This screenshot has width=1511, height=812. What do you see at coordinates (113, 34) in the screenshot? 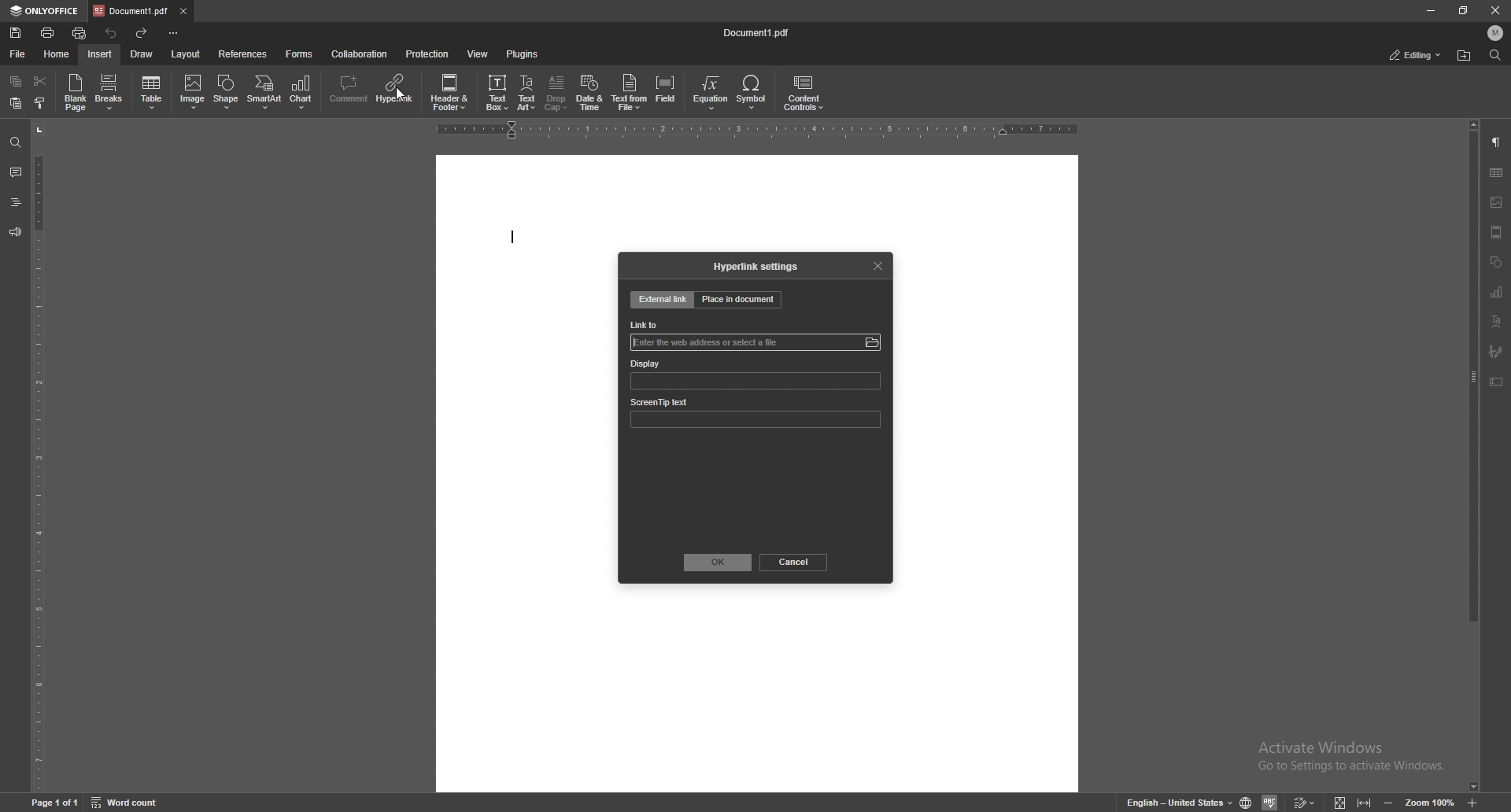
I see `undo` at bounding box center [113, 34].